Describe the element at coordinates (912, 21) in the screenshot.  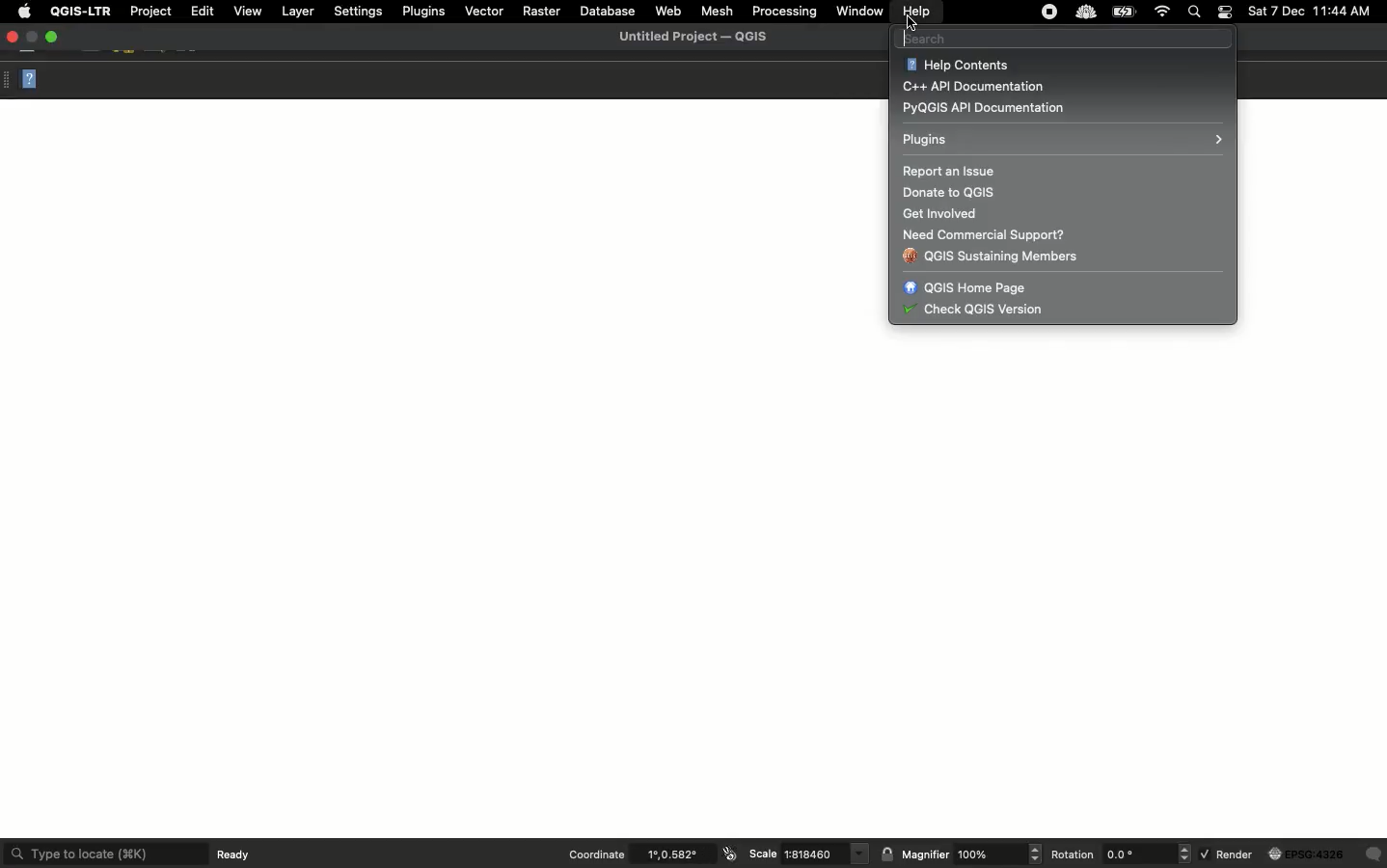
I see `Cursor` at that location.